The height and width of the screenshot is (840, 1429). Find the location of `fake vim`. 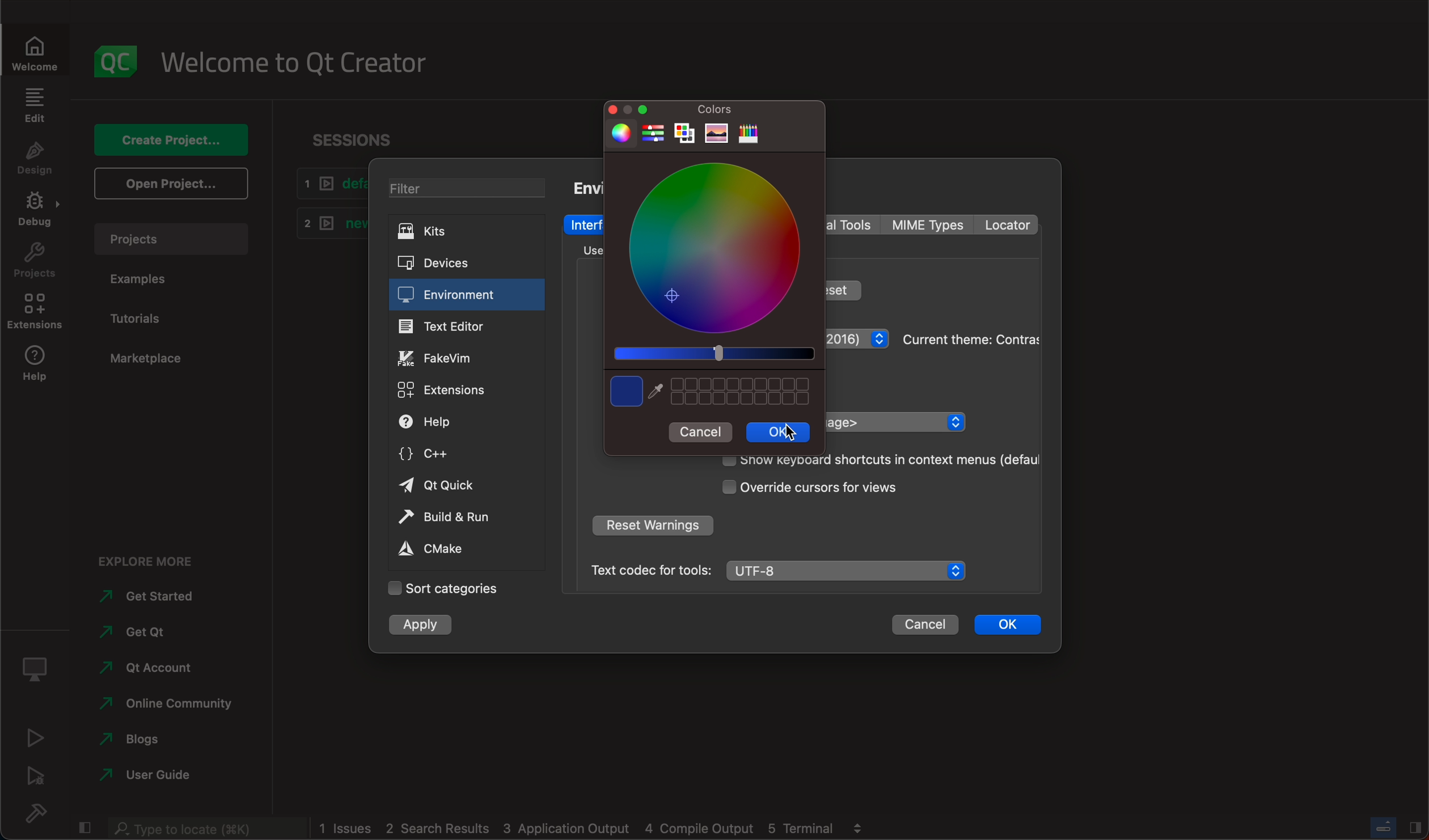

fake vim is located at coordinates (466, 357).